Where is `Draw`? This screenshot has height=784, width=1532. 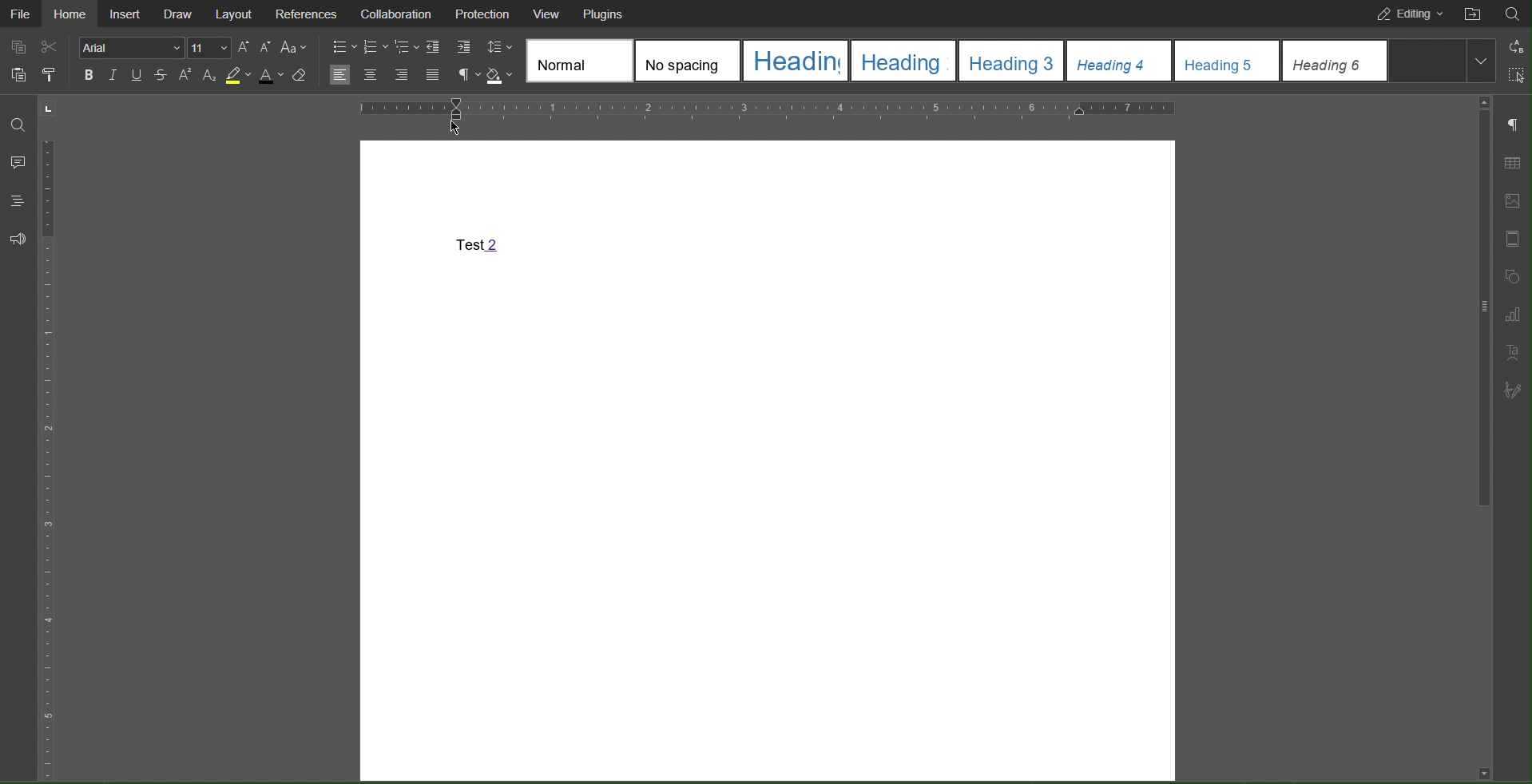
Draw is located at coordinates (177, 14).